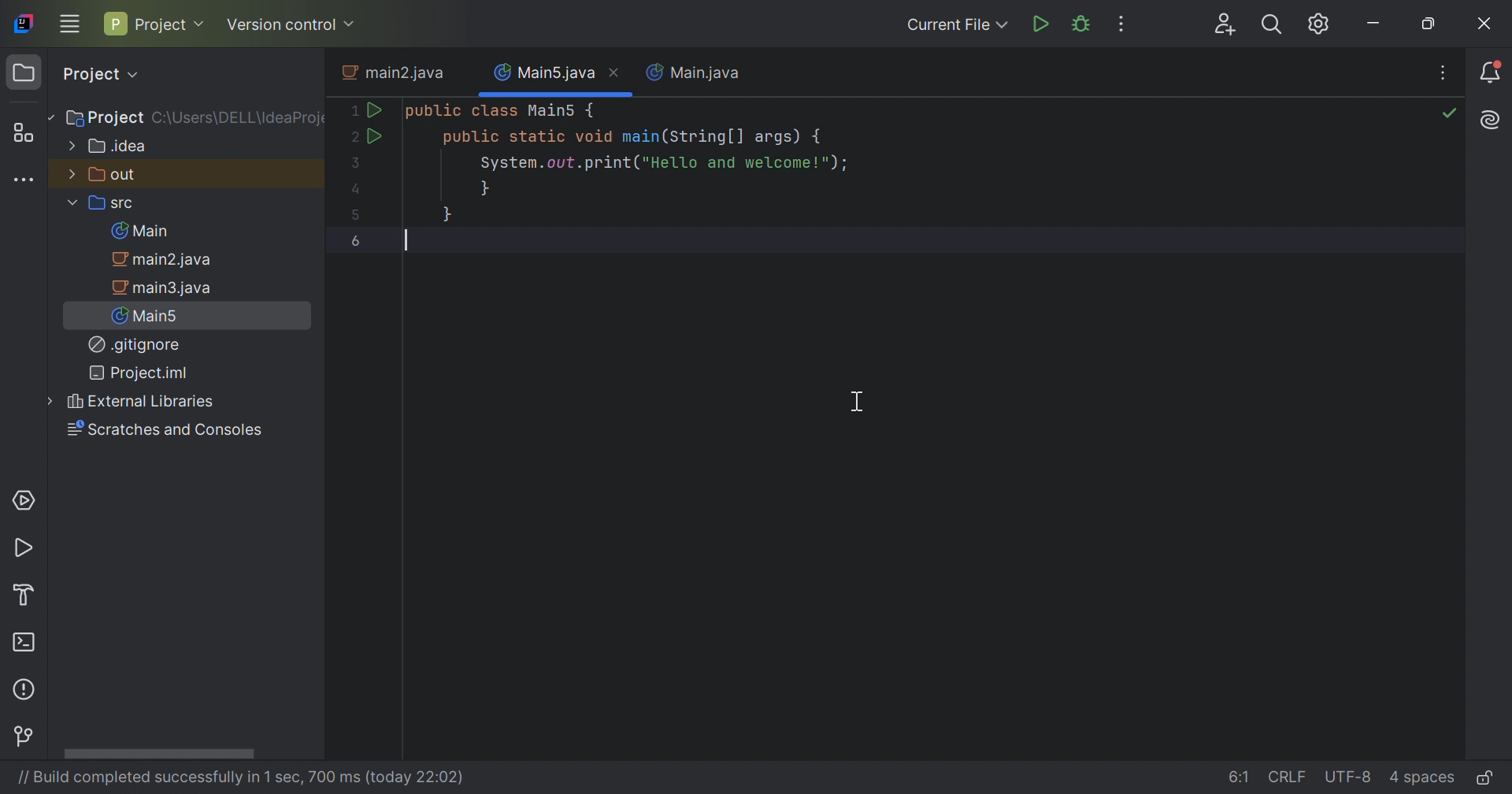 This screenshot has width=1512, height=794. What do you see at coordinates (23, 72) in the screenshot?
I see `Folder icon` at bounding box center [23, 72].